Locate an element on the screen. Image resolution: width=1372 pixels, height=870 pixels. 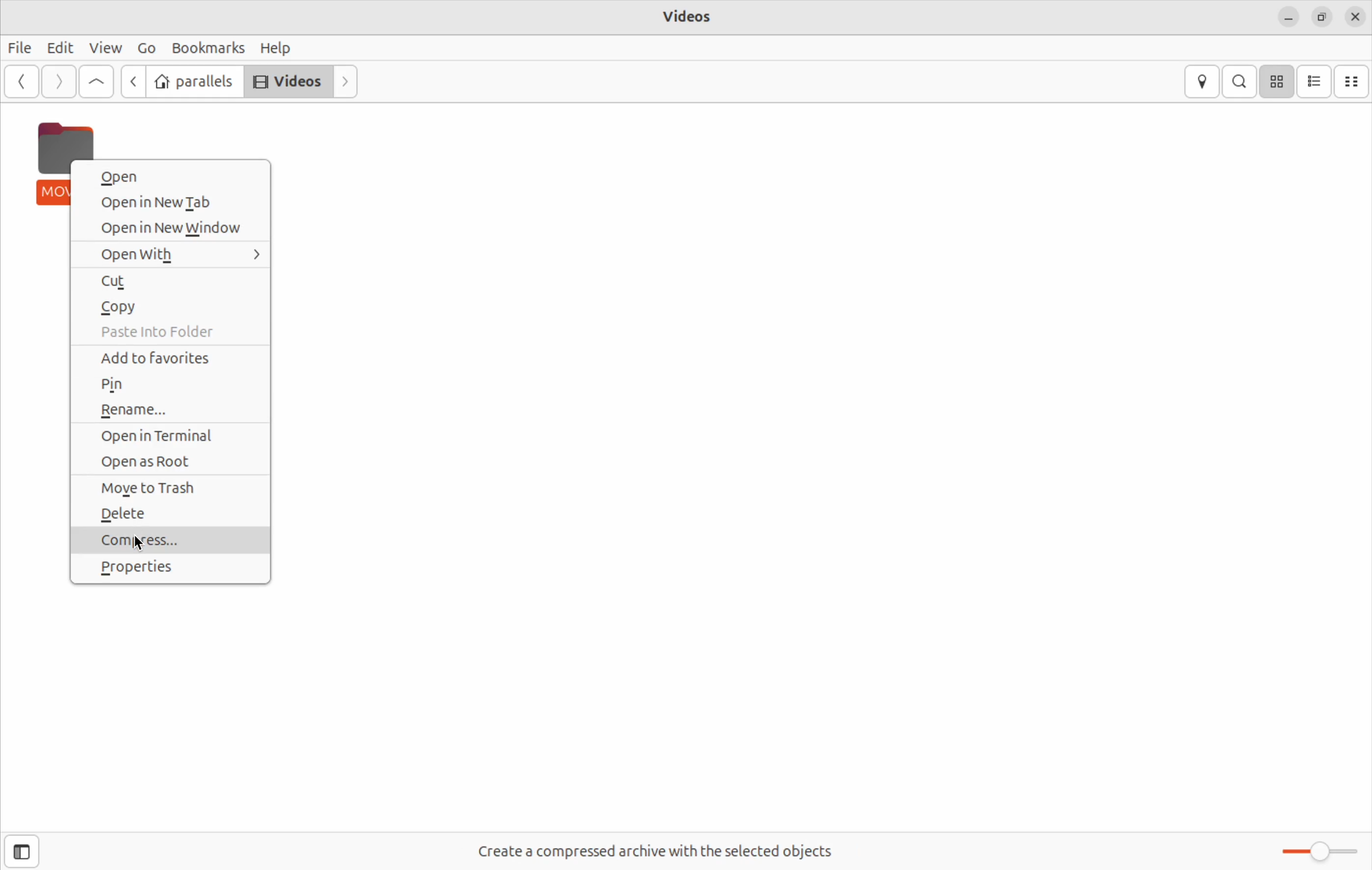
open in terminal is located at coordinates (176, 436).